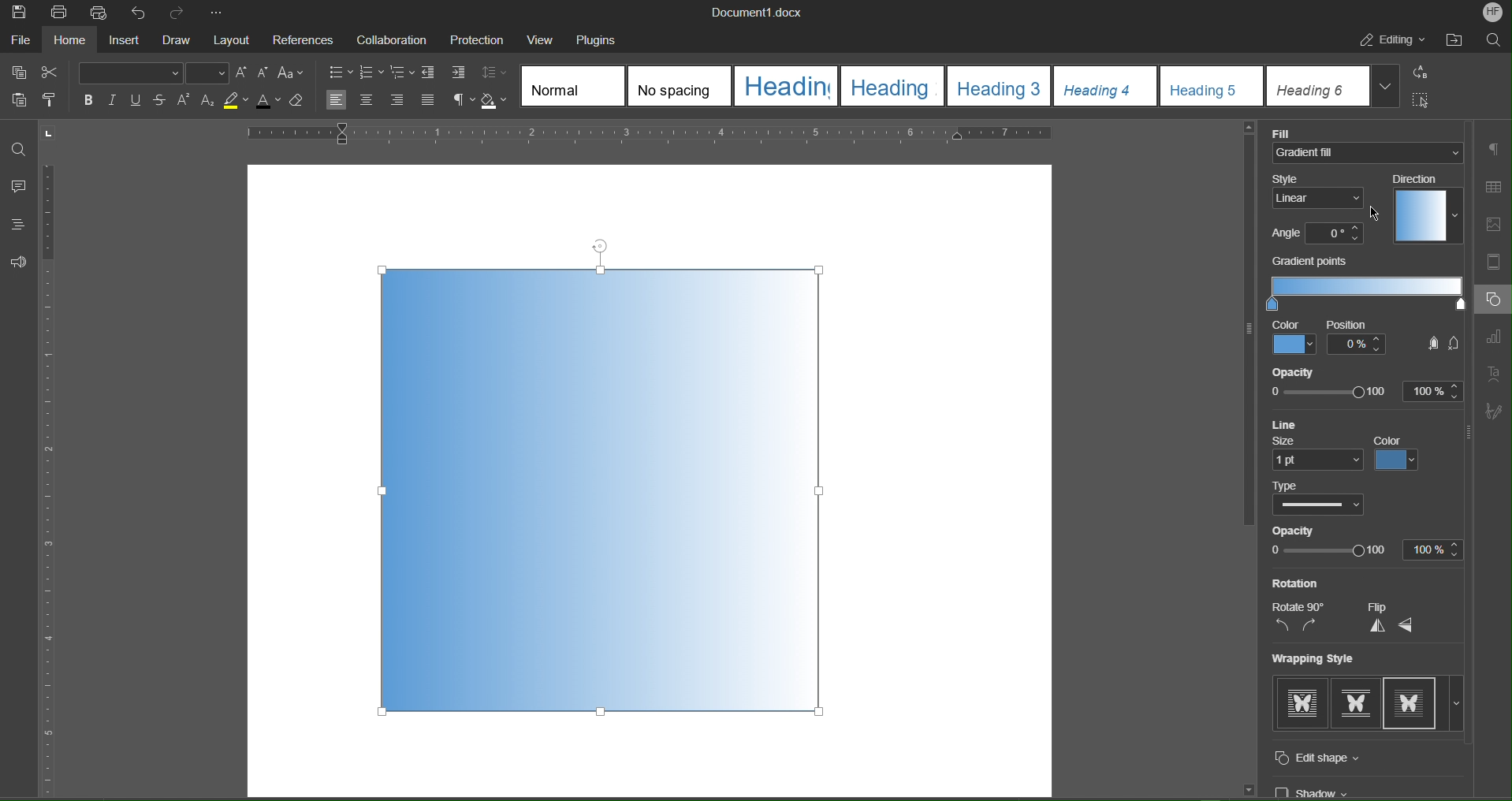  I want to click on Save, so click(17, 12).